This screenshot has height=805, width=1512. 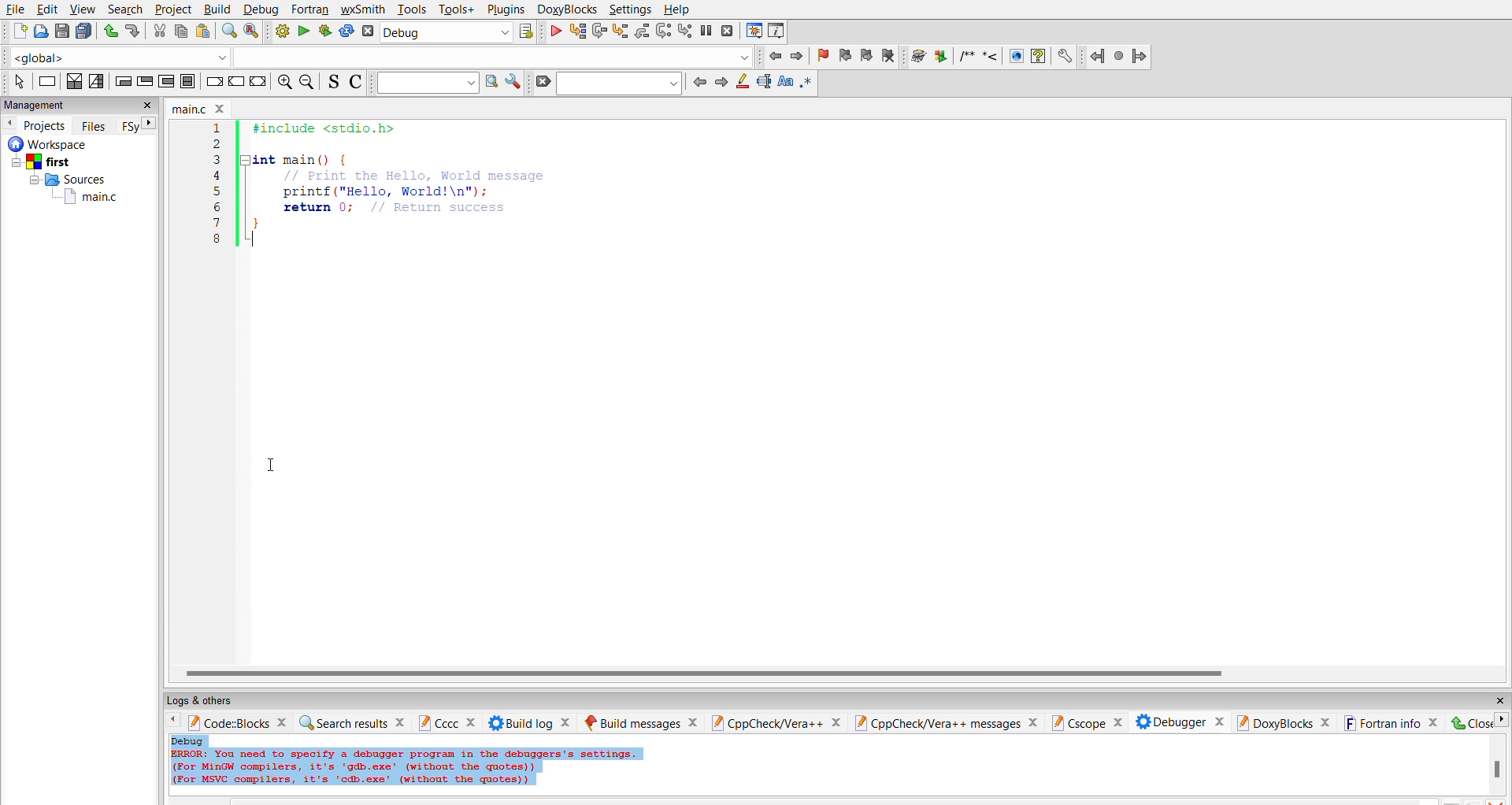 What do you see at coordinates (1117, 57) in the screenshot?
I see `Last jump` at bounding box center [1117, 57].